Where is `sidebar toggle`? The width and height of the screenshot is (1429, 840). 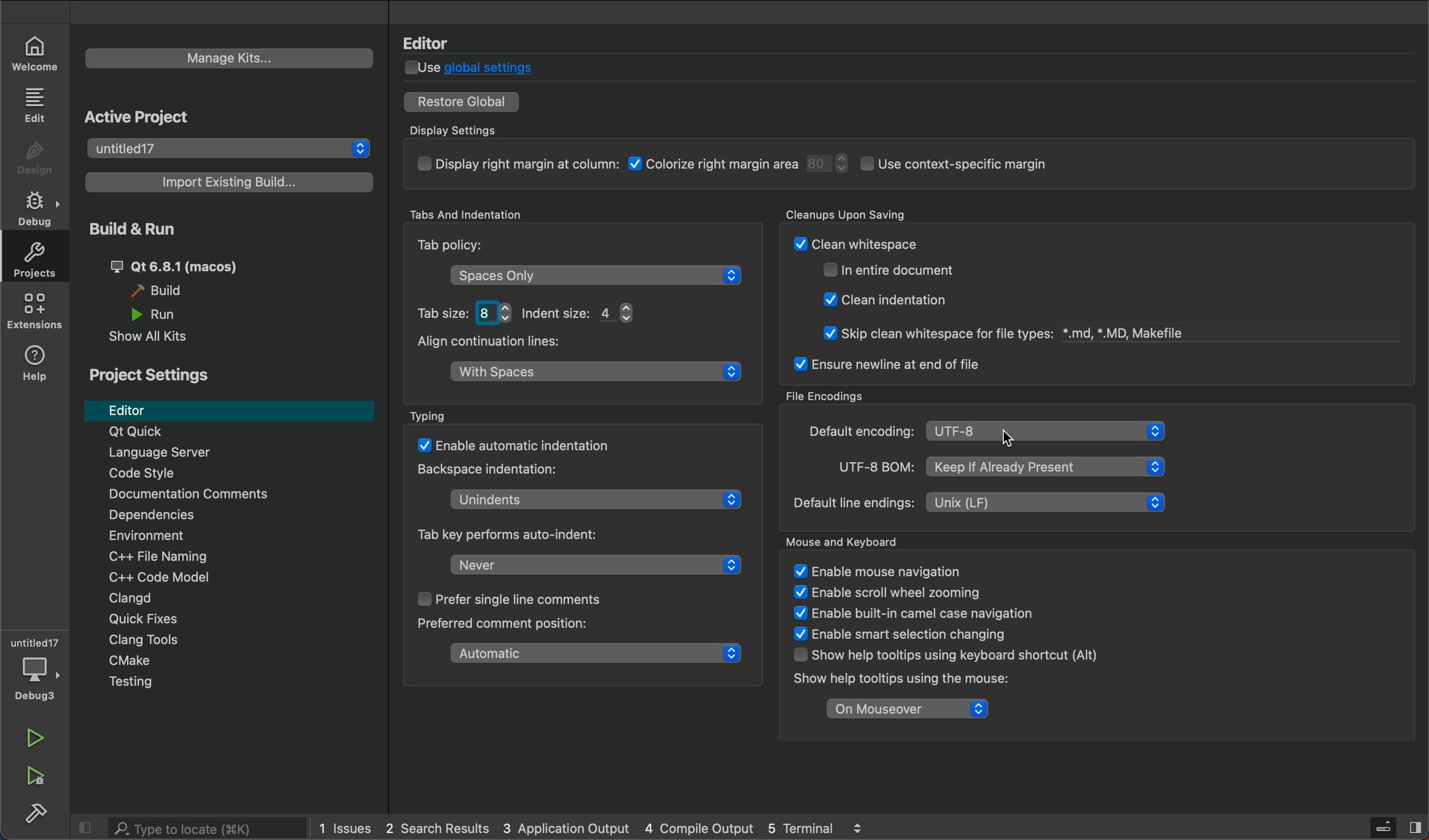
sidebar toggle is located at coordinates (1396, 827).